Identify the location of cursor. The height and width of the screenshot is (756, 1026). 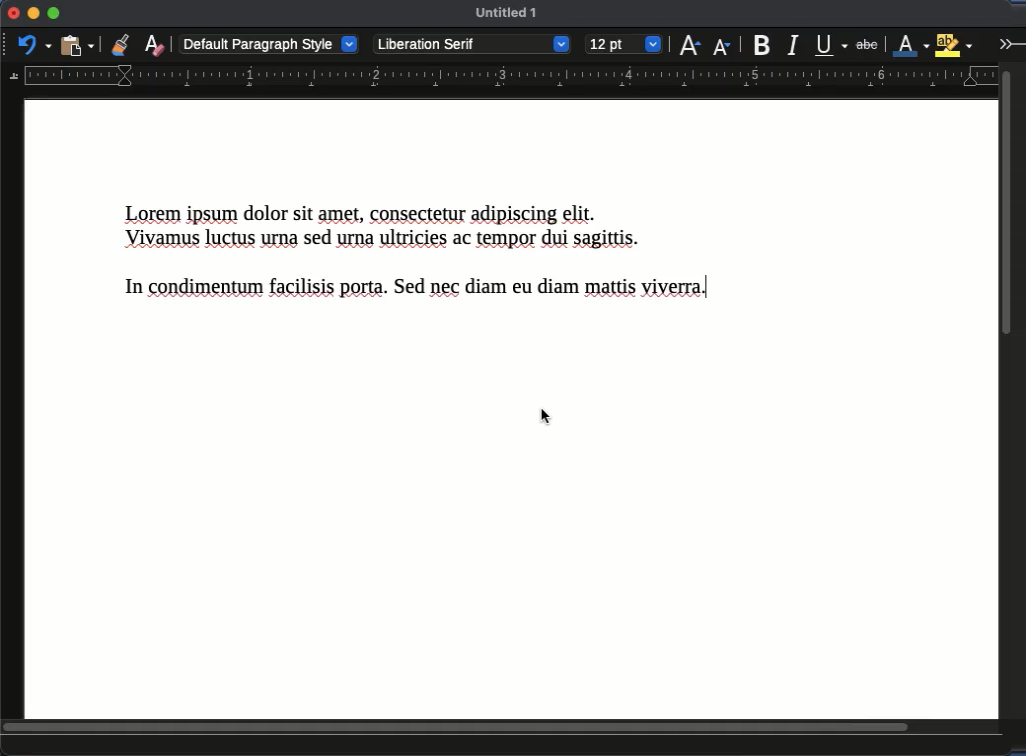
(550, 418).